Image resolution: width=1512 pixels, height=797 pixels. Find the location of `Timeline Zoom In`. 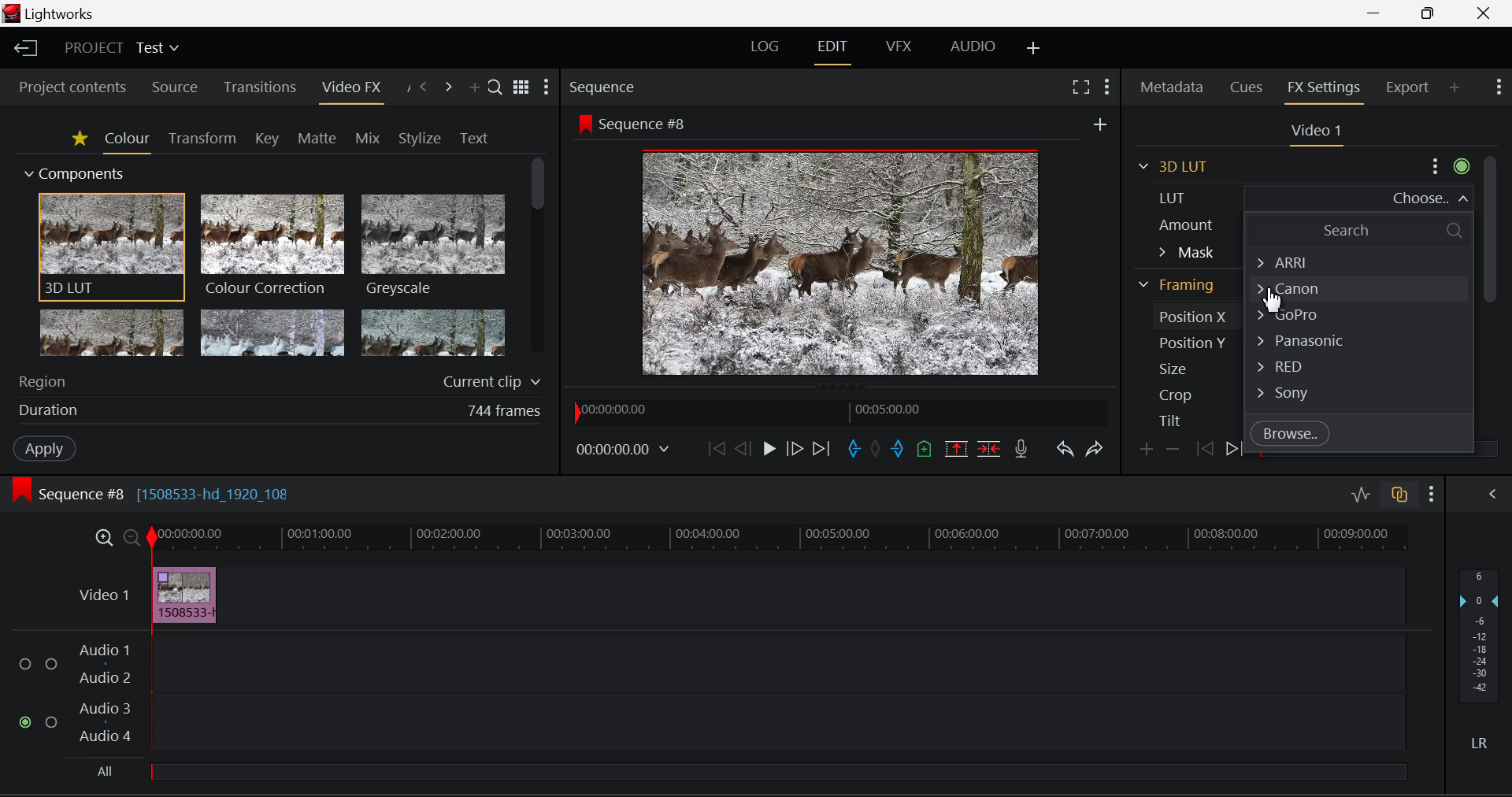

Timeline Zoom In is located at coordinates (103, 537).